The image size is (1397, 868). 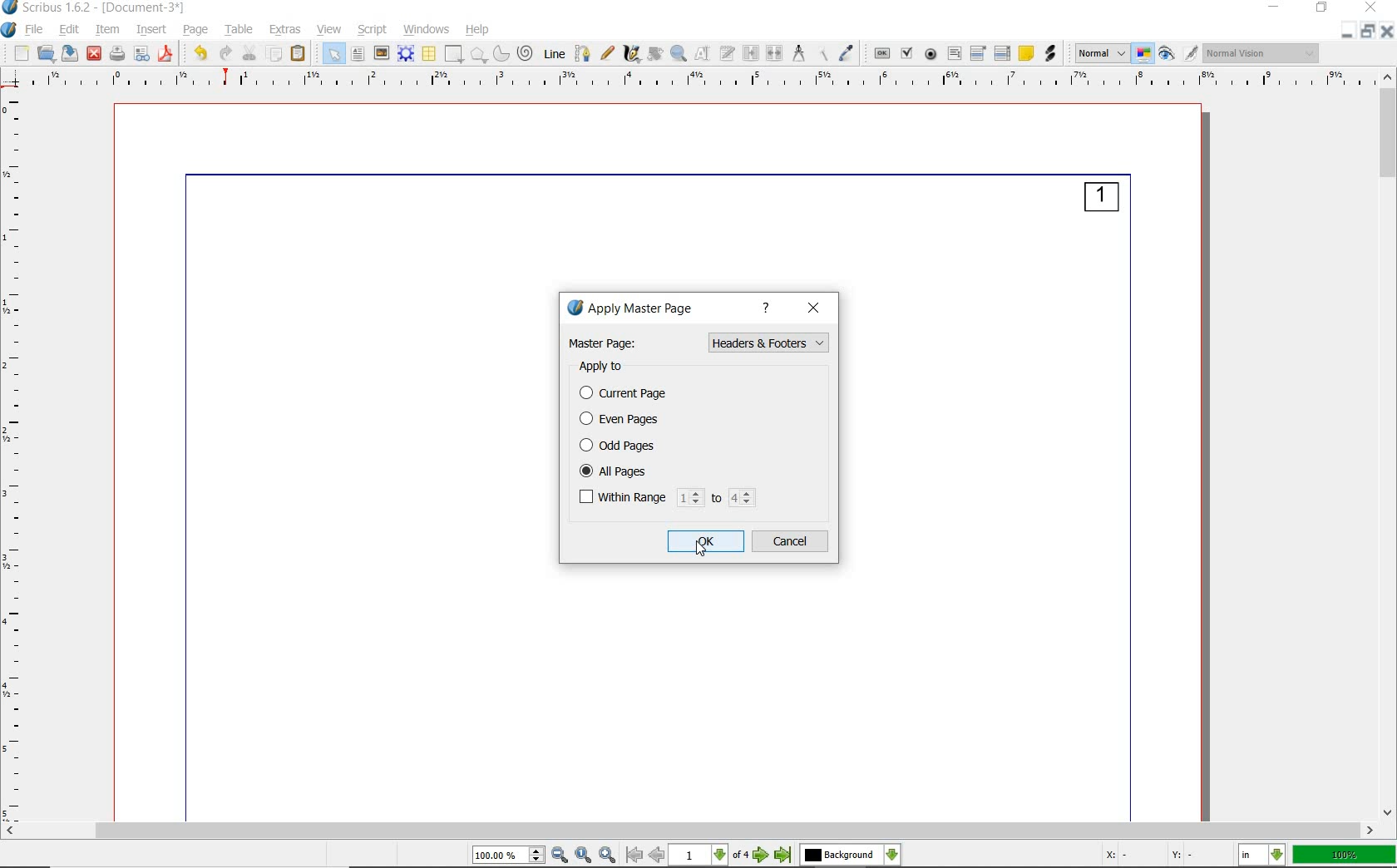 What do you see at coordinates (118, 54) in the screenshot?
I see `print` at bounding box center [118, 54].